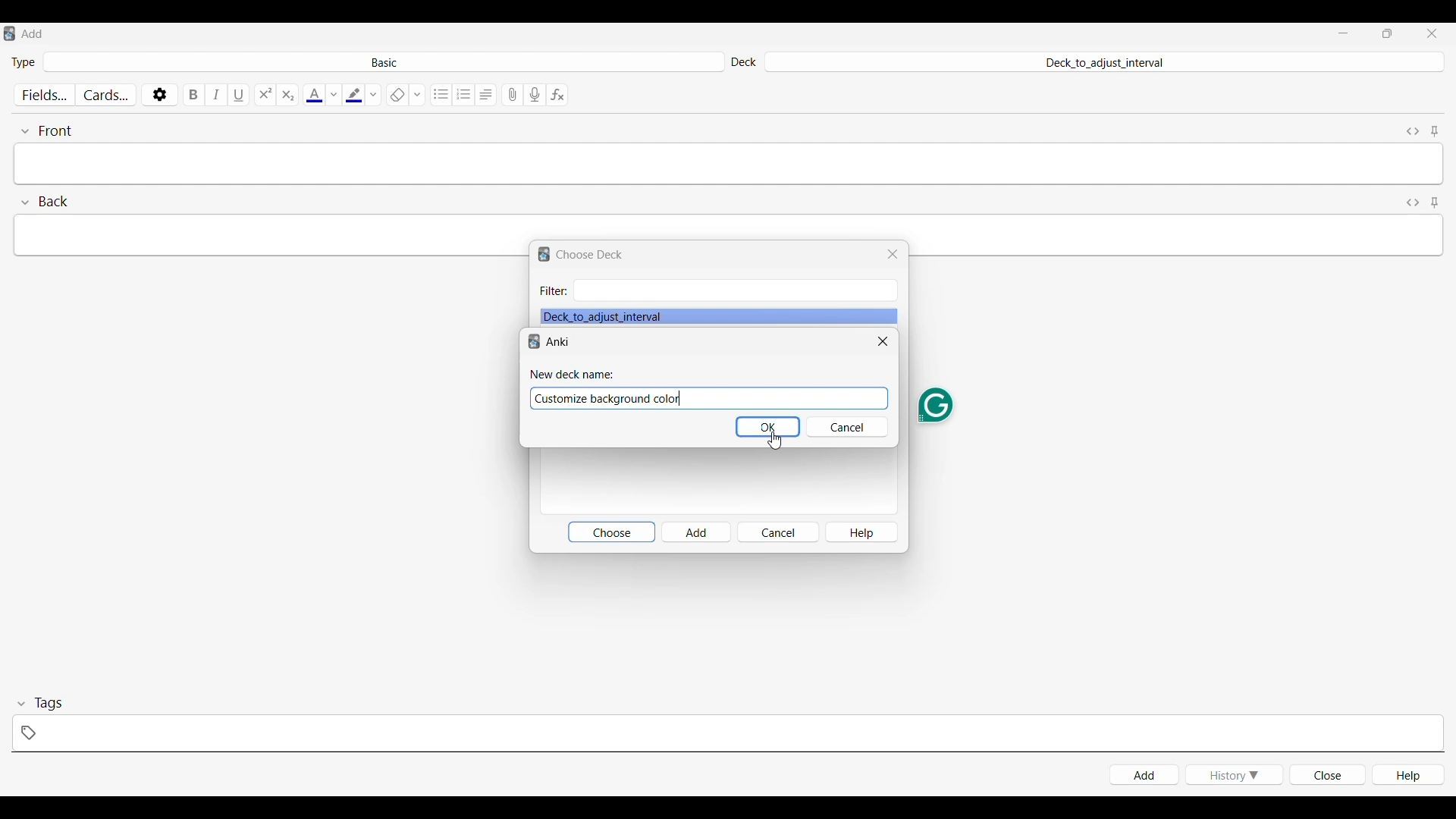  Describe the element at coordinates (544, 255) in the screenshot. I see `Software logo` at that location.